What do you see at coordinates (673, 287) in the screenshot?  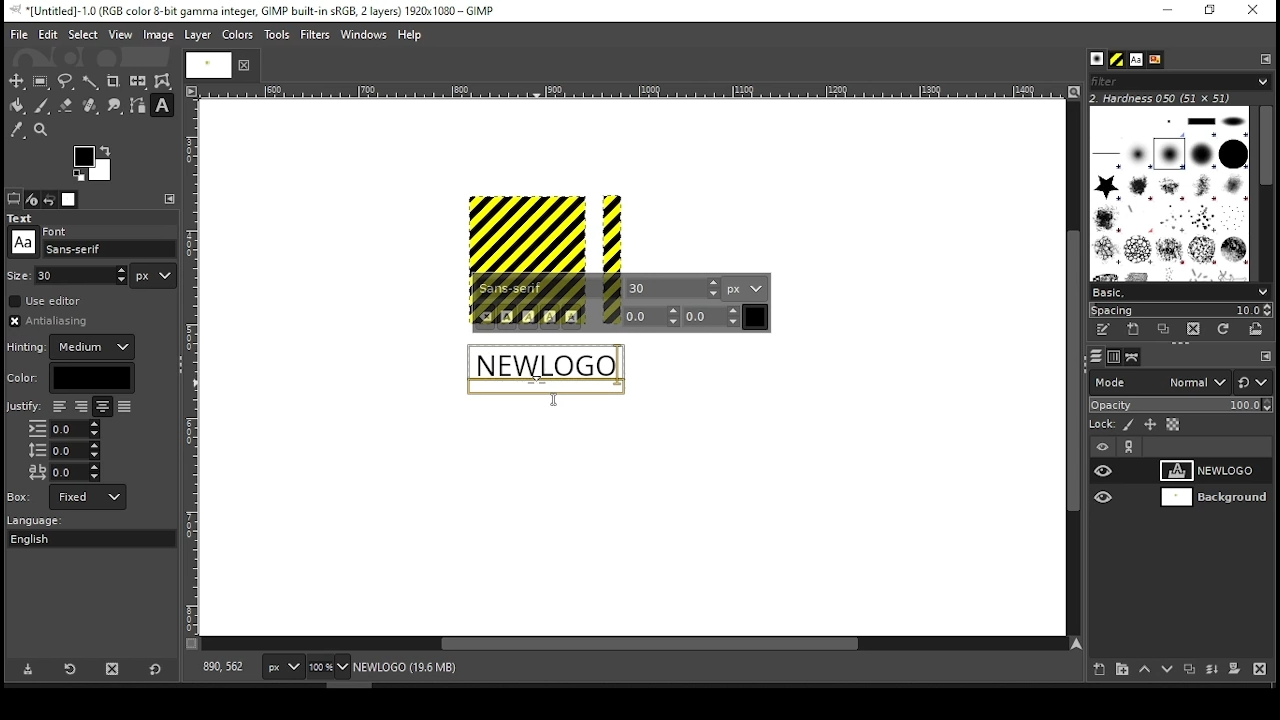 I see `font` at bounding box center [673, 287].